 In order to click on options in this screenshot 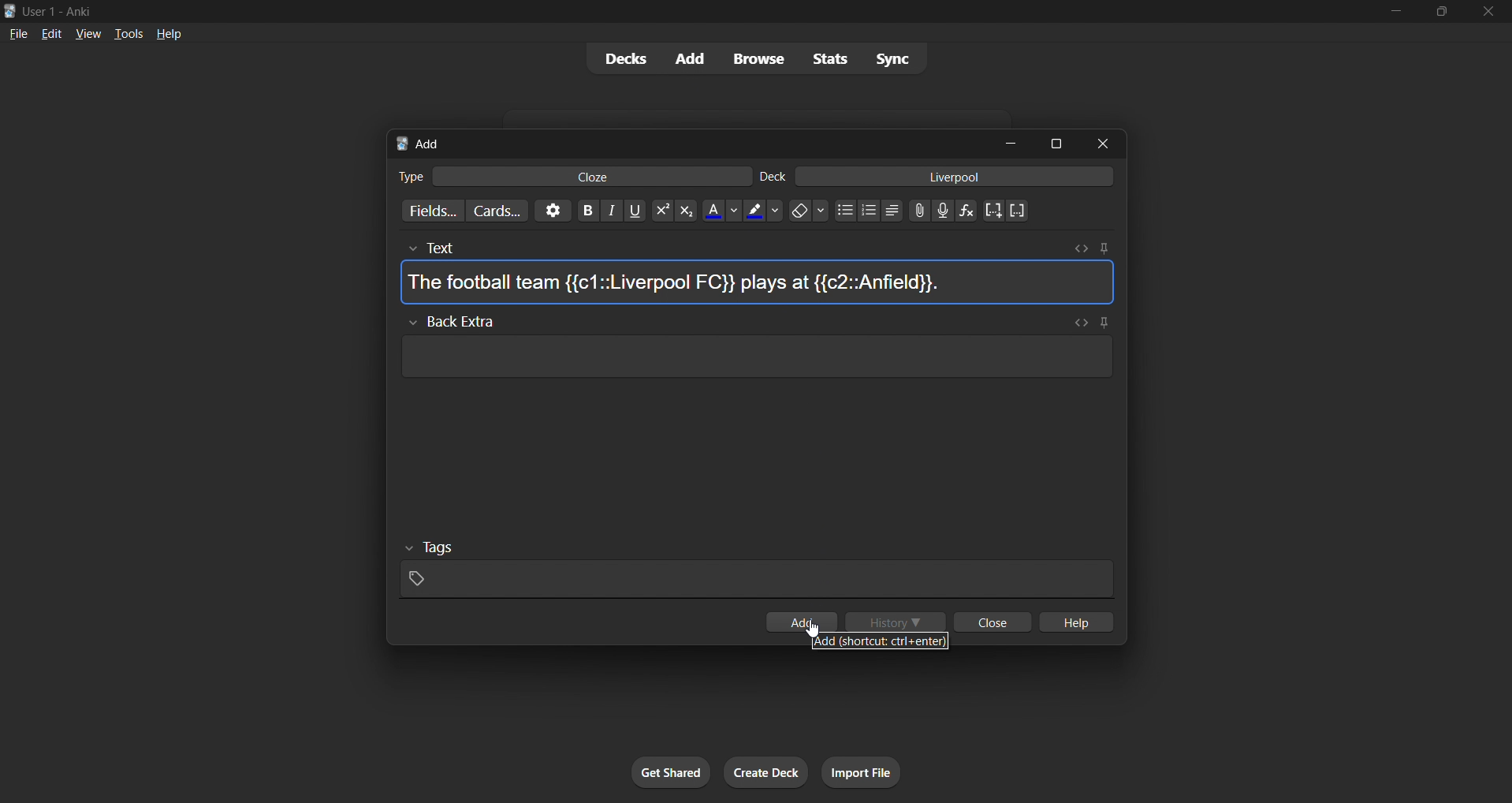, I will do `click(557, 213)`.